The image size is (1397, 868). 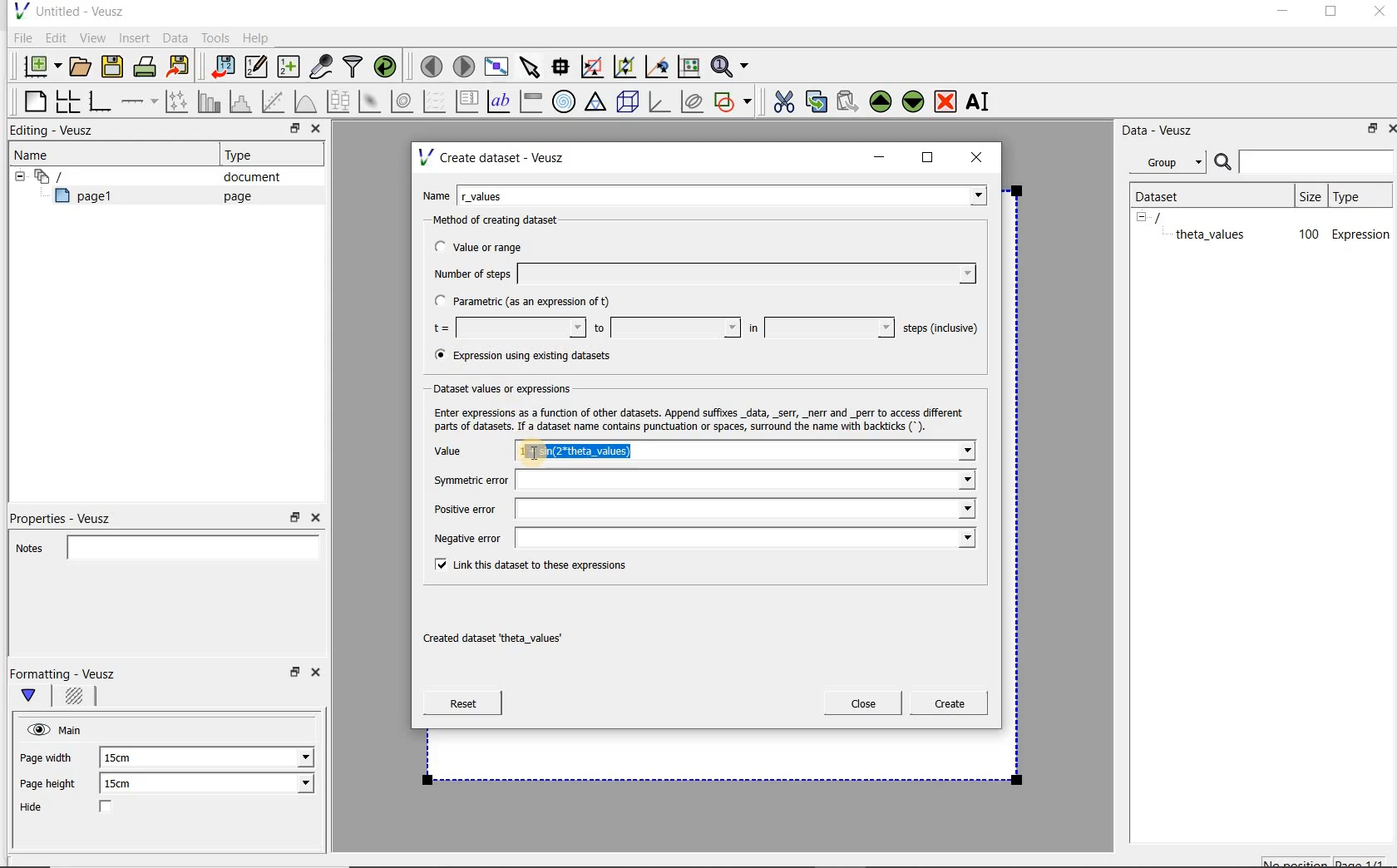 What do you see at coordinates (734, 100) in the screenshot?
I see `add a shape to the plot` at bounding box center [734, 100].